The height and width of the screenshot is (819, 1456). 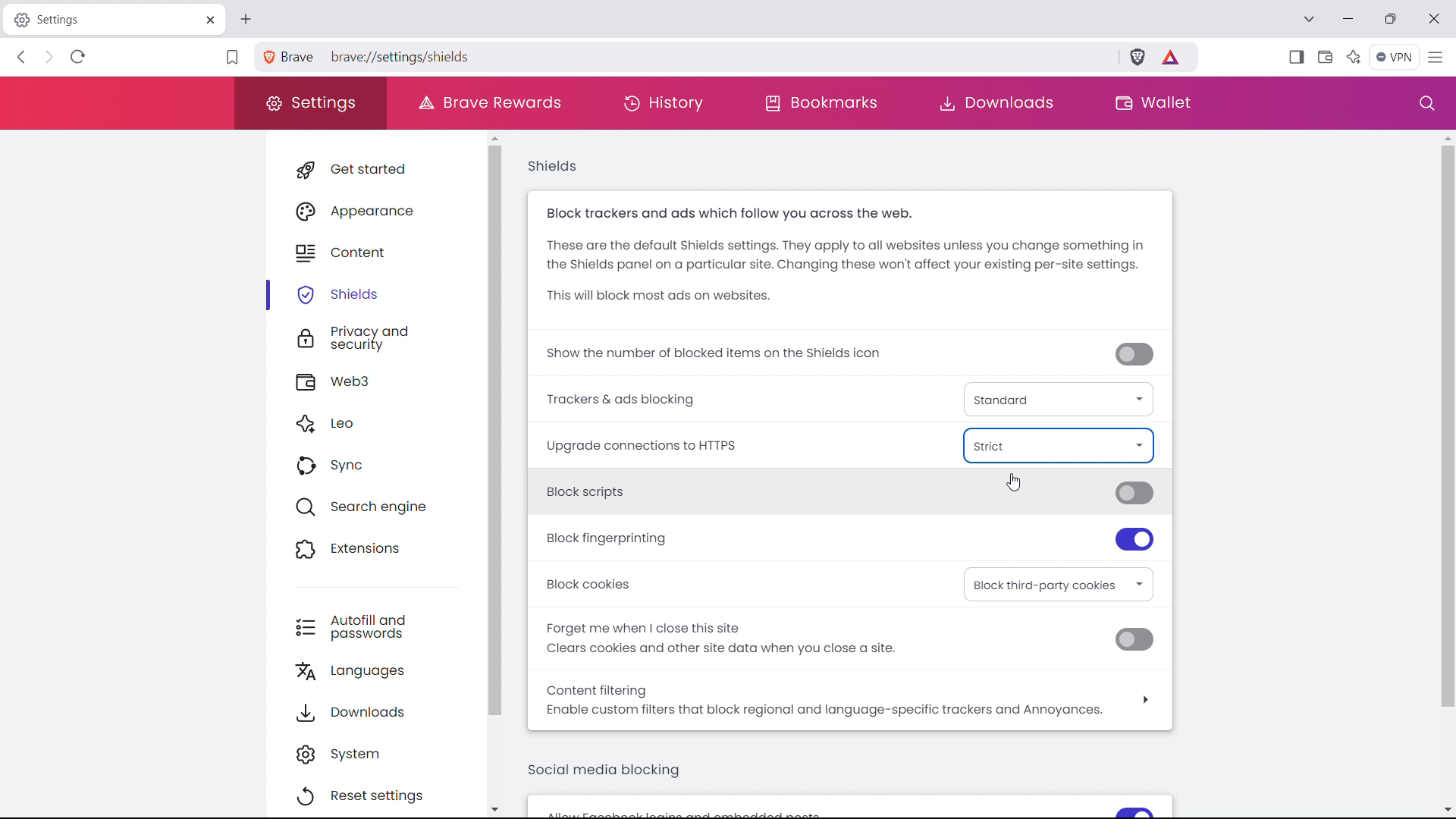 I want to click on privacy and security, so click(x=384, y=337).